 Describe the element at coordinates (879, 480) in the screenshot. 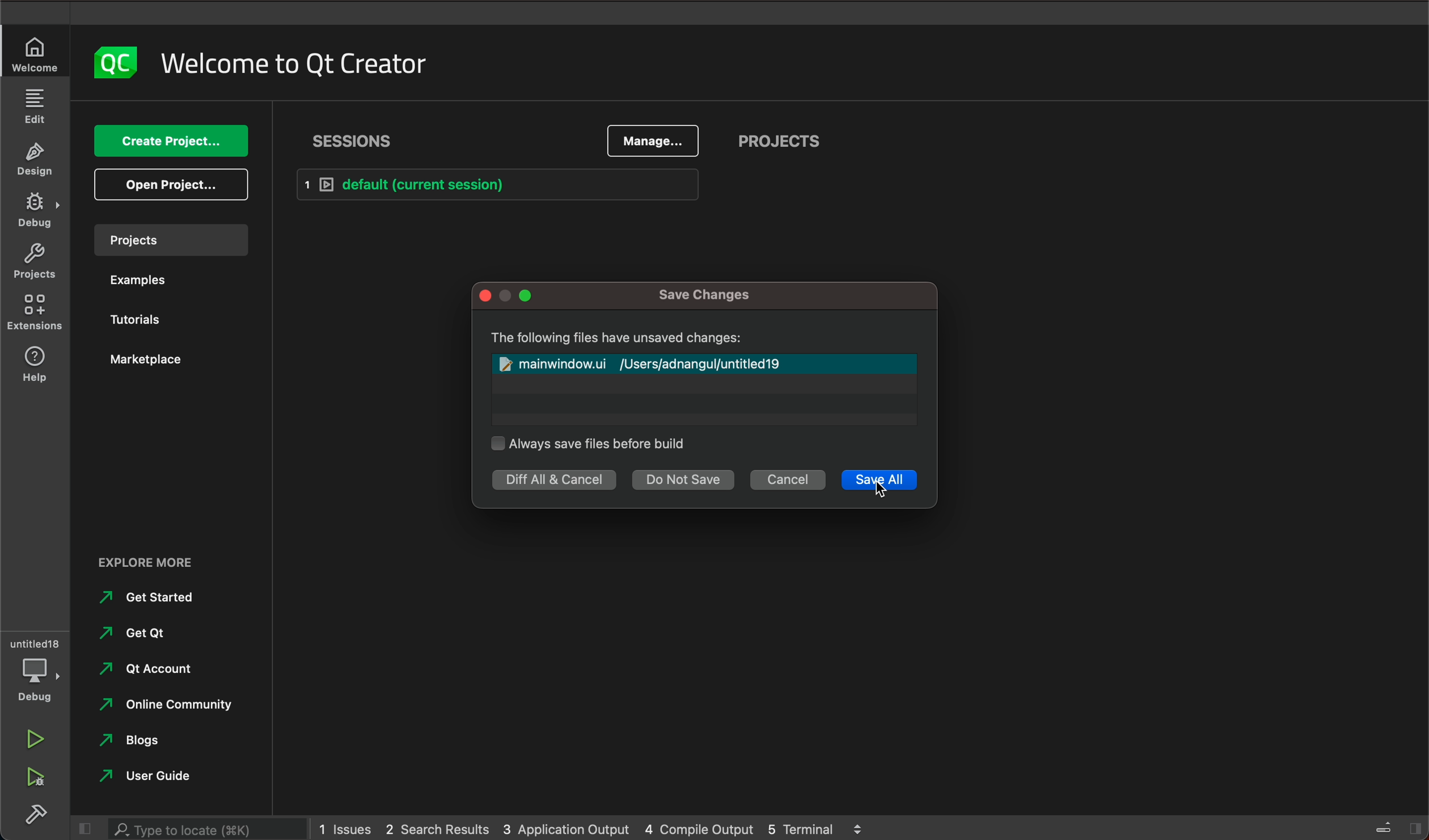

I see `save all` at that location.